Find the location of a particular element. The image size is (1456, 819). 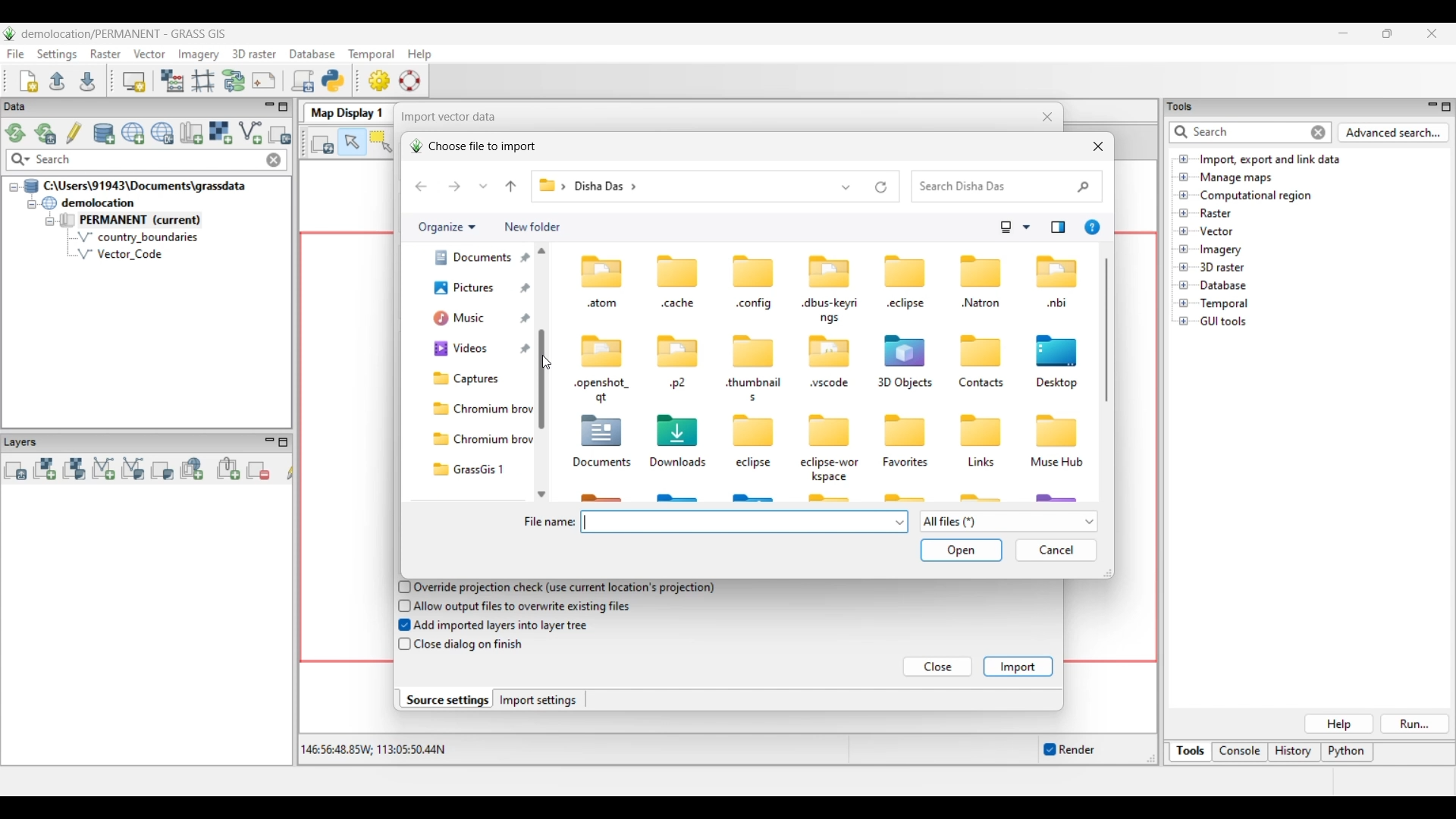

Co-ordinates of the cursor within the display area is located at coordinates (371, 750).